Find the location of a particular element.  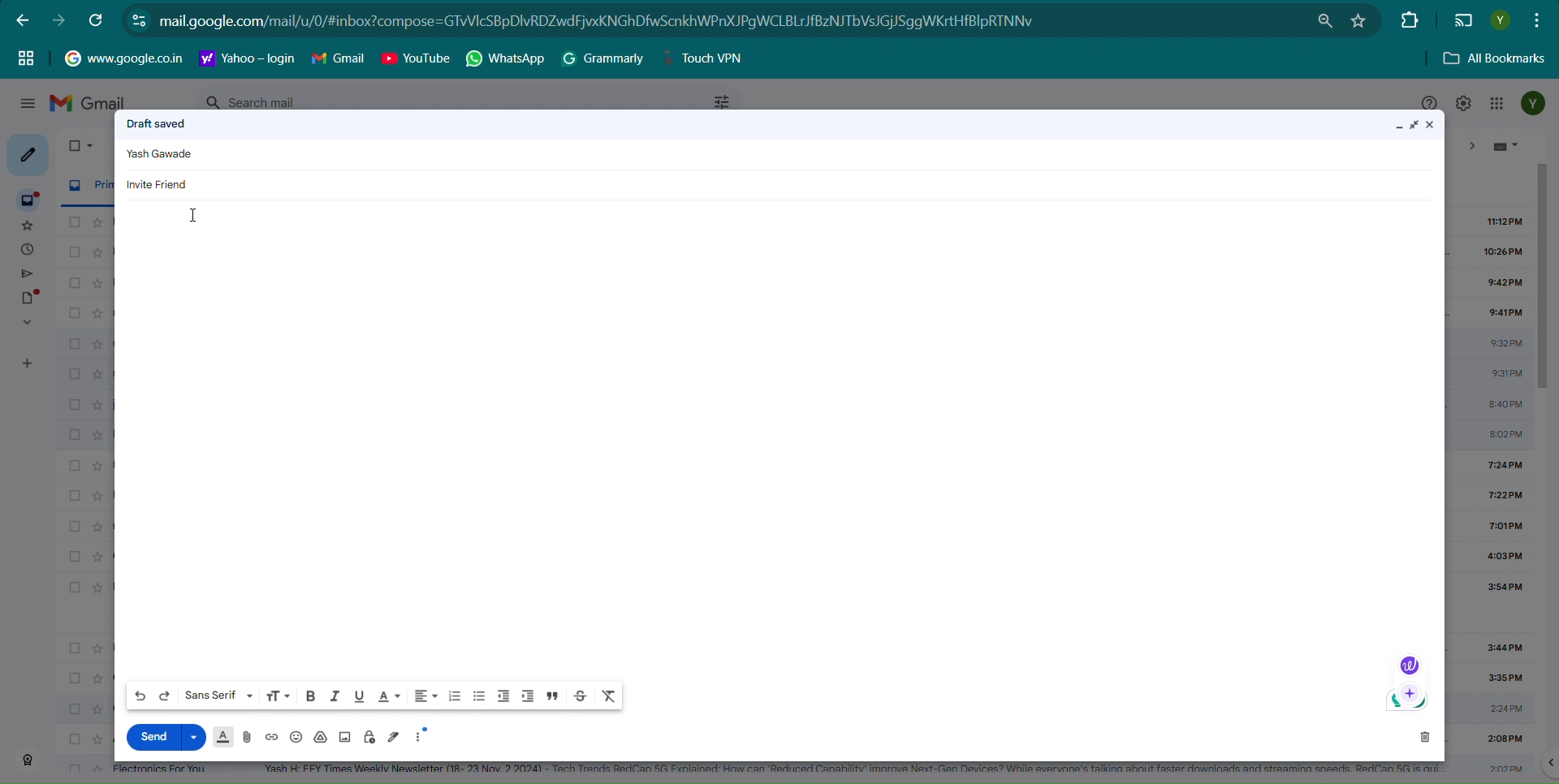

Italic is located at coordinates (334, 695).